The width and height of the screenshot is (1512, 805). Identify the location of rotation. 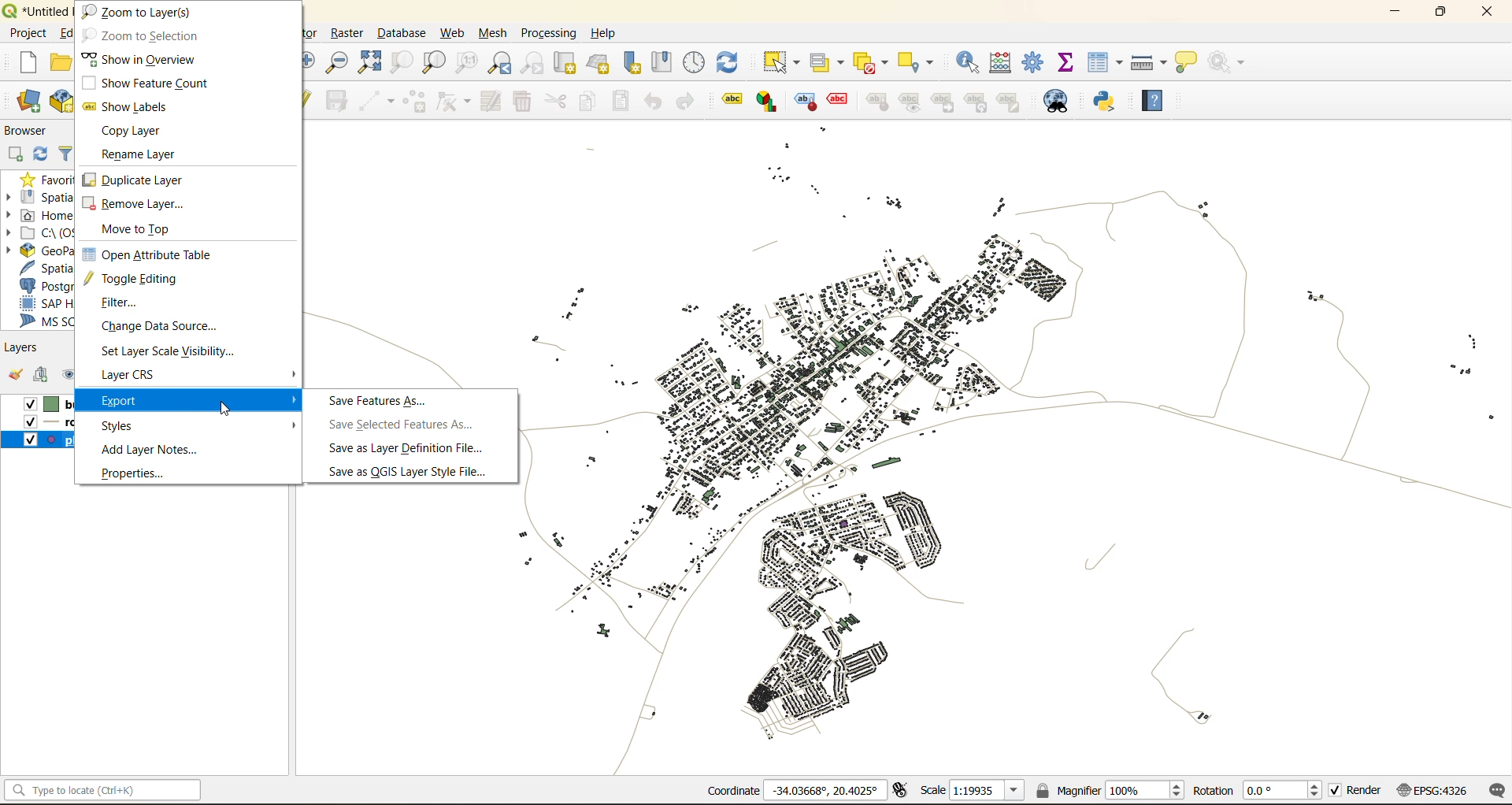
(1258, 792).